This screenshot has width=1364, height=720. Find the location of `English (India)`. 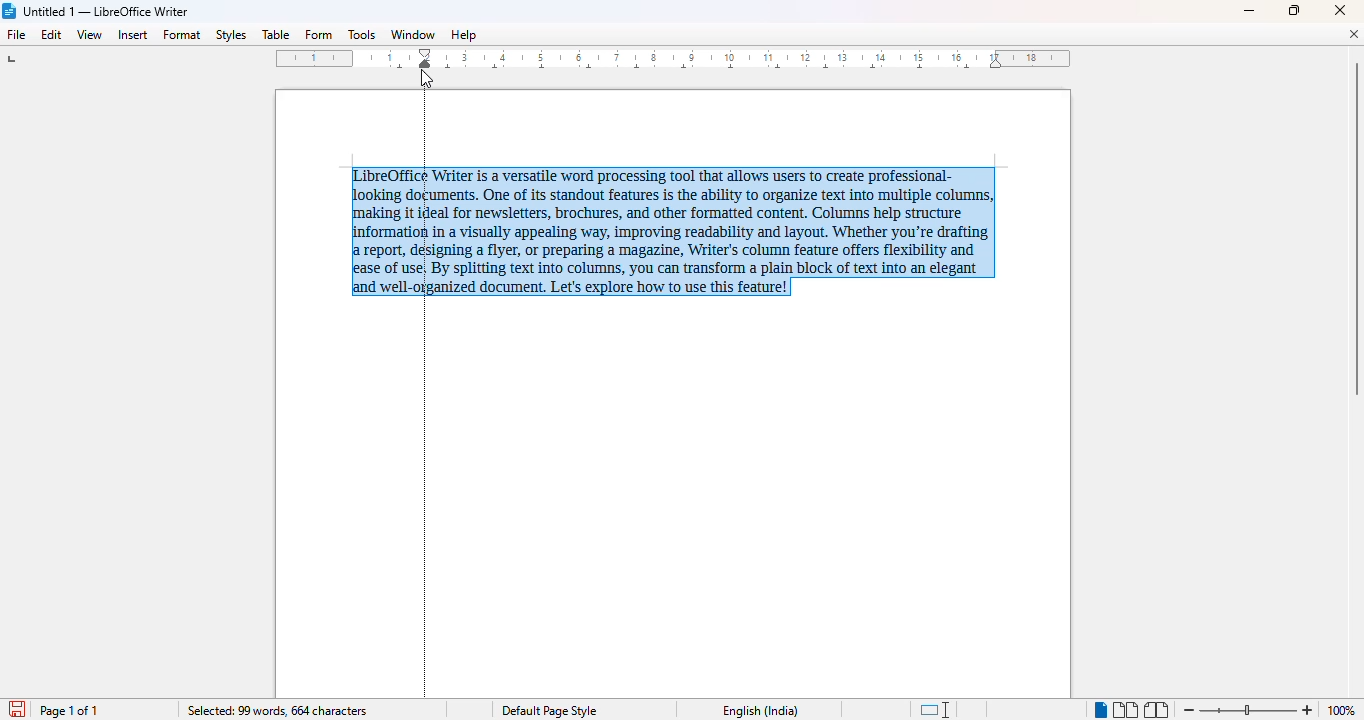

English (India) is located at coordinates (766, 711).